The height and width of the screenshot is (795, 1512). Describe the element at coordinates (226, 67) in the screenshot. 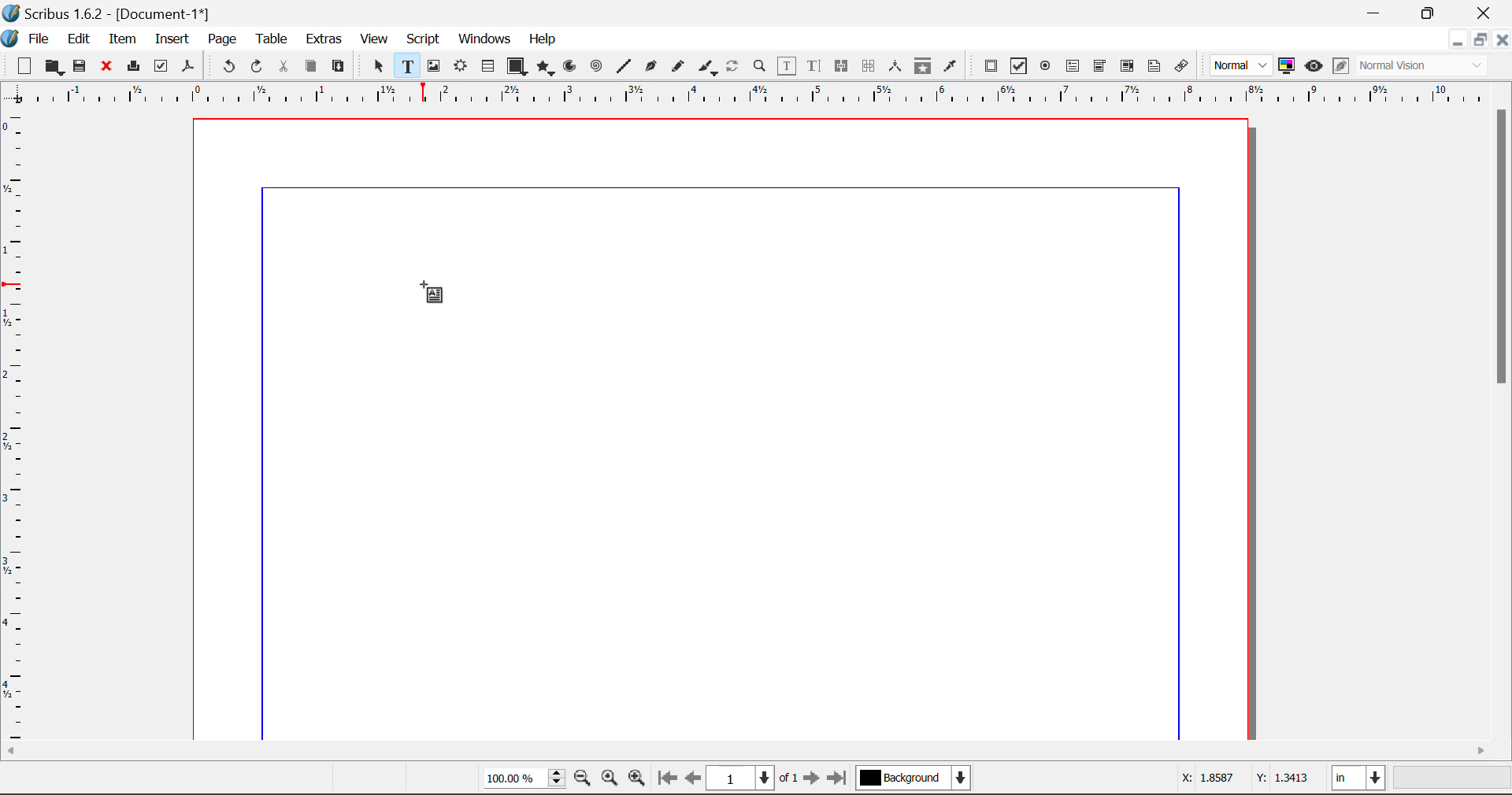

I see `Undo` at that location.